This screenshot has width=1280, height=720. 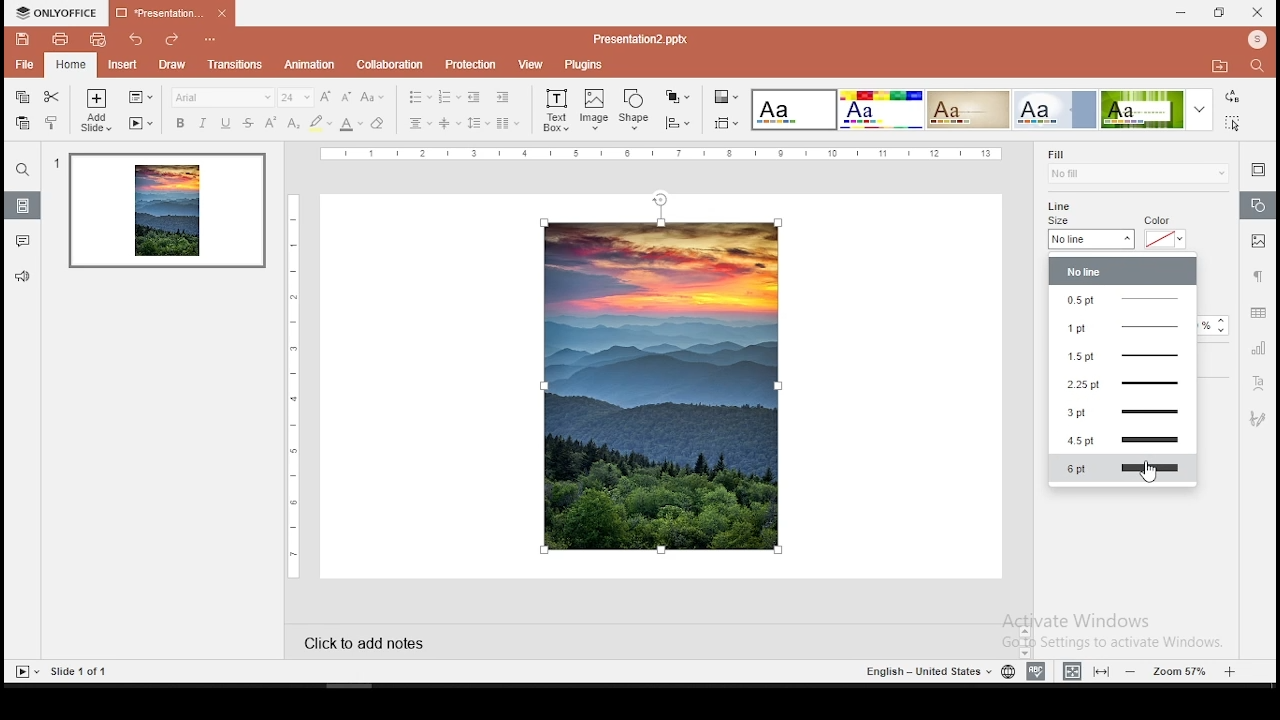 What do you see at coordinates (794, 109) in the screenshot?
I see `theme ` at bounding box center [794, 109].